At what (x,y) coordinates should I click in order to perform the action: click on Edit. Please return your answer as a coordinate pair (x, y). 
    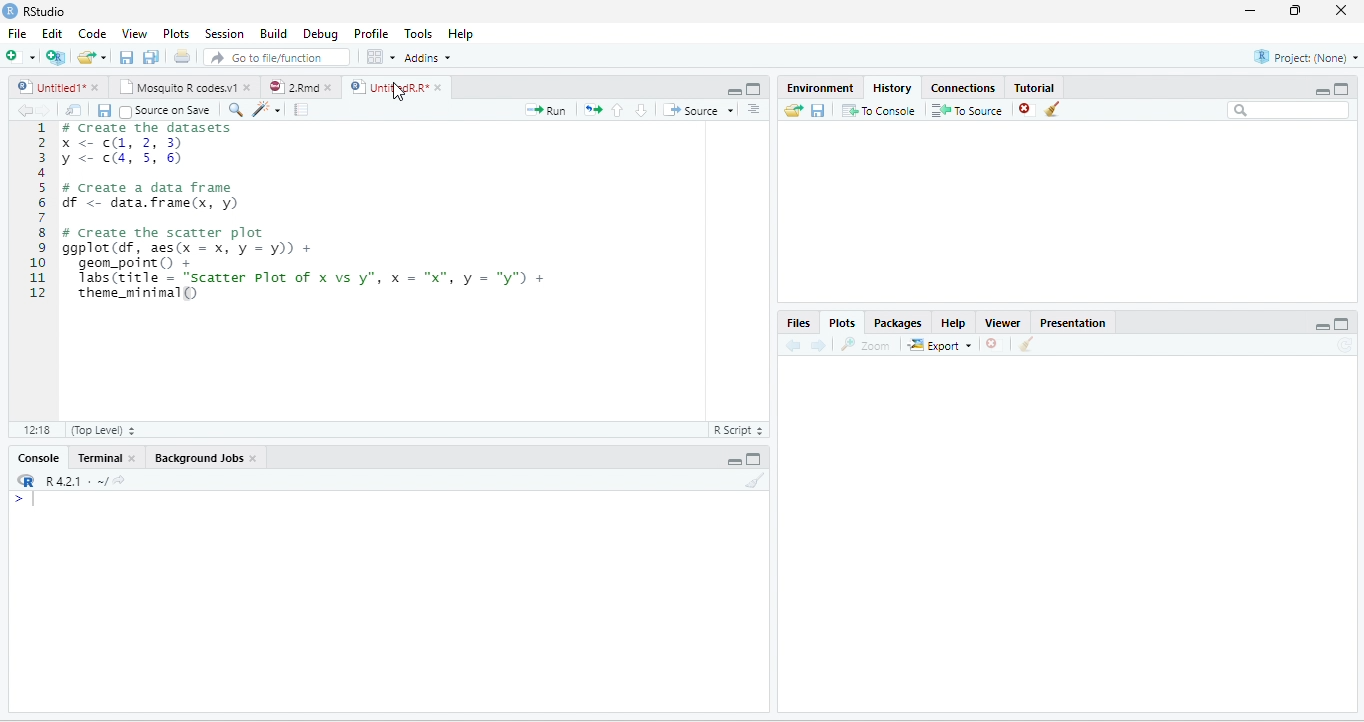
    Looking at the image, I should click on (51, 33).